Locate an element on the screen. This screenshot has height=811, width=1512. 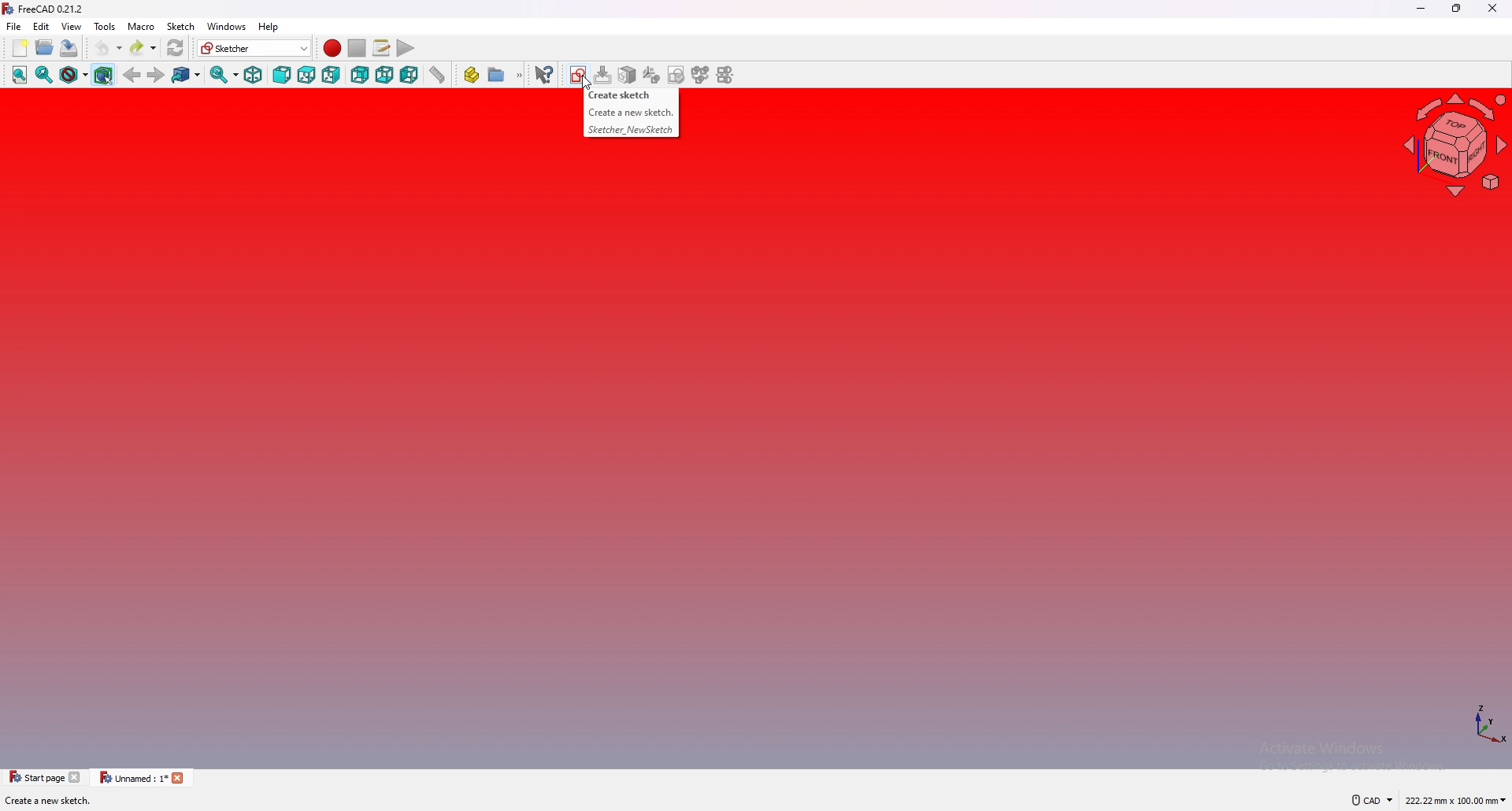
what's this is located at coordinates (544, 73).